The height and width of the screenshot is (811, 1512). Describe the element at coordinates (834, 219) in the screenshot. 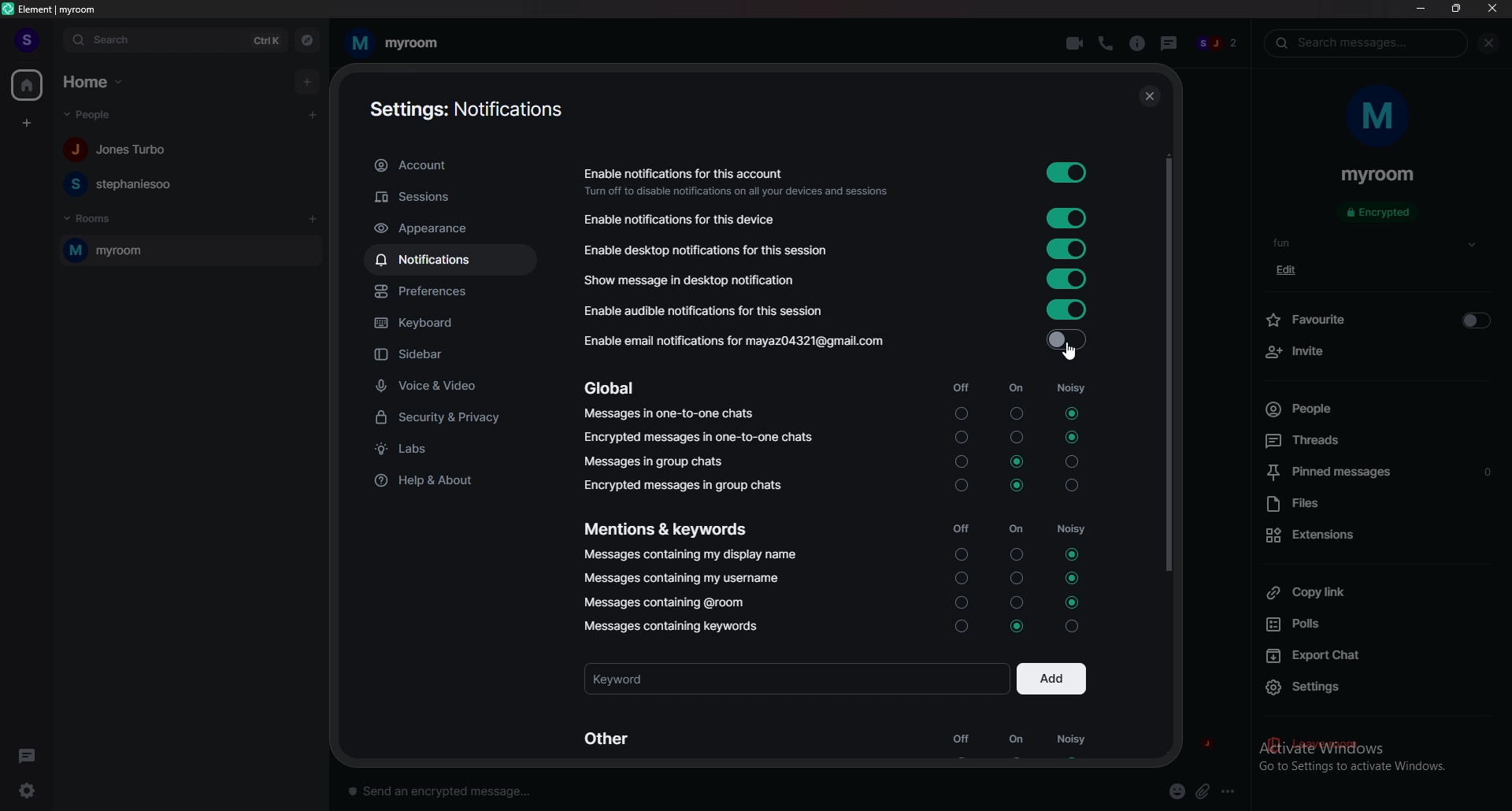

I see `notifications for this device` at that location.